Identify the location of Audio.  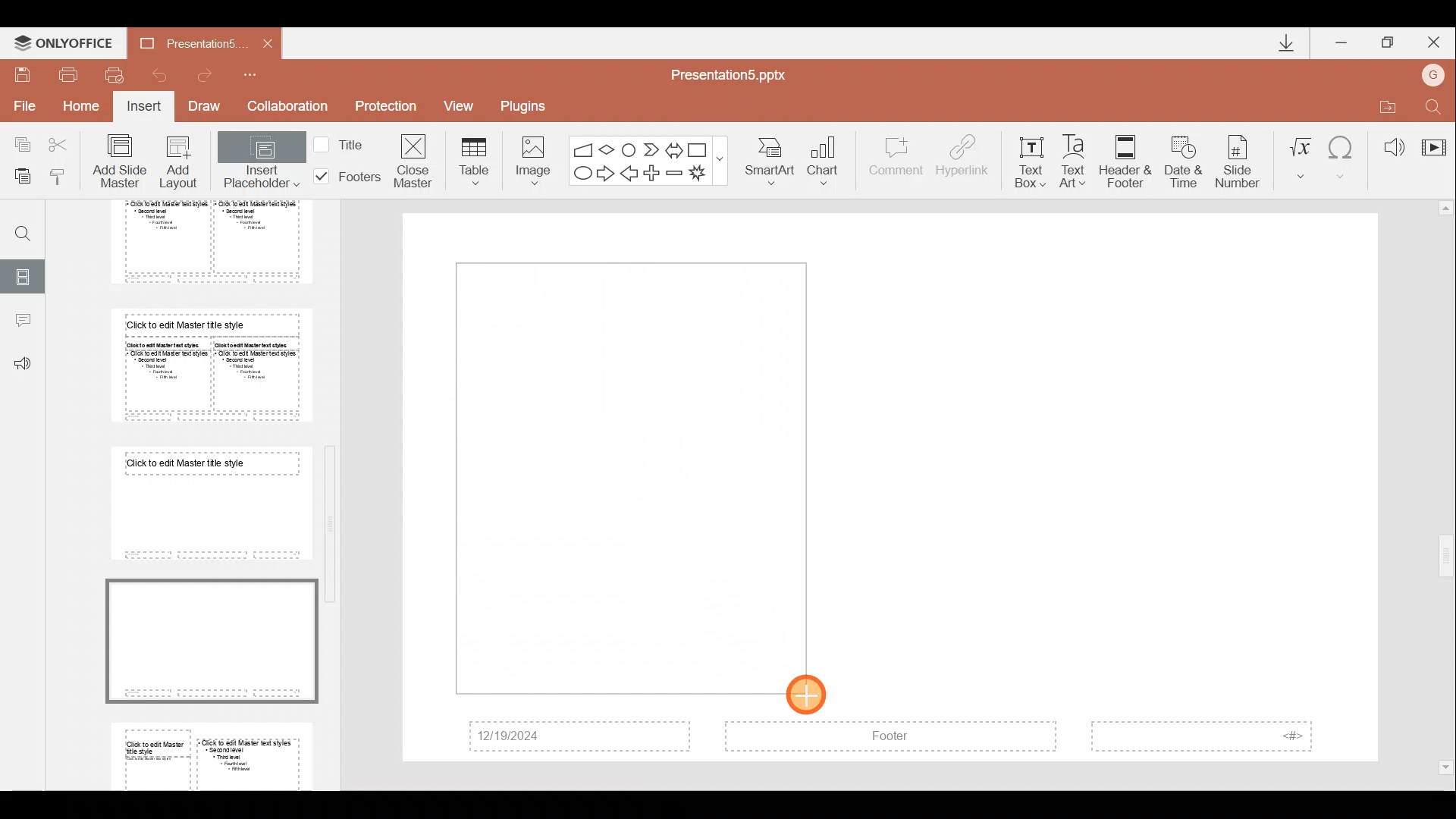
(1388, 143).